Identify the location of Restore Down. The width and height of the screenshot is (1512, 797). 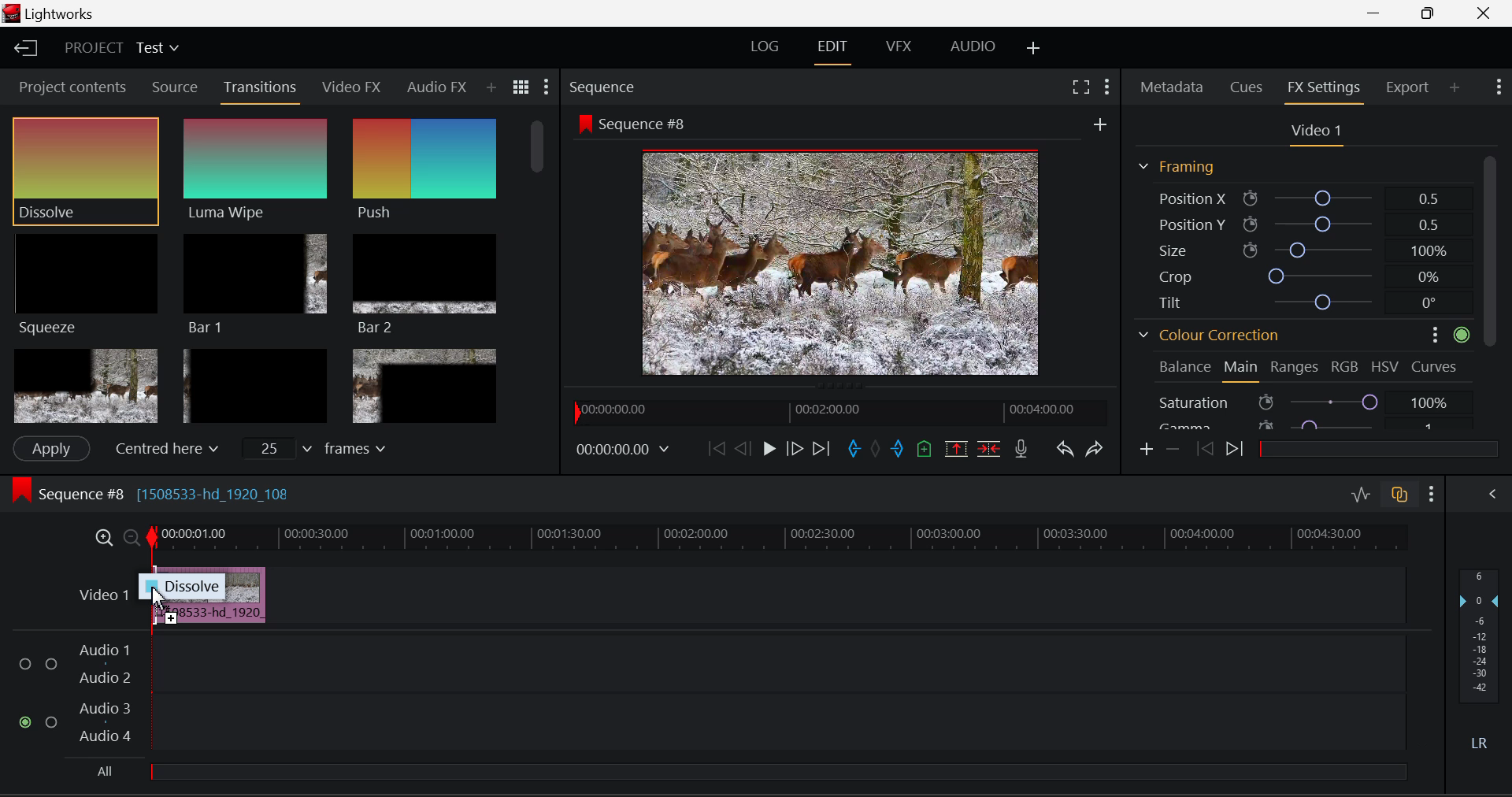
(1377, 13).